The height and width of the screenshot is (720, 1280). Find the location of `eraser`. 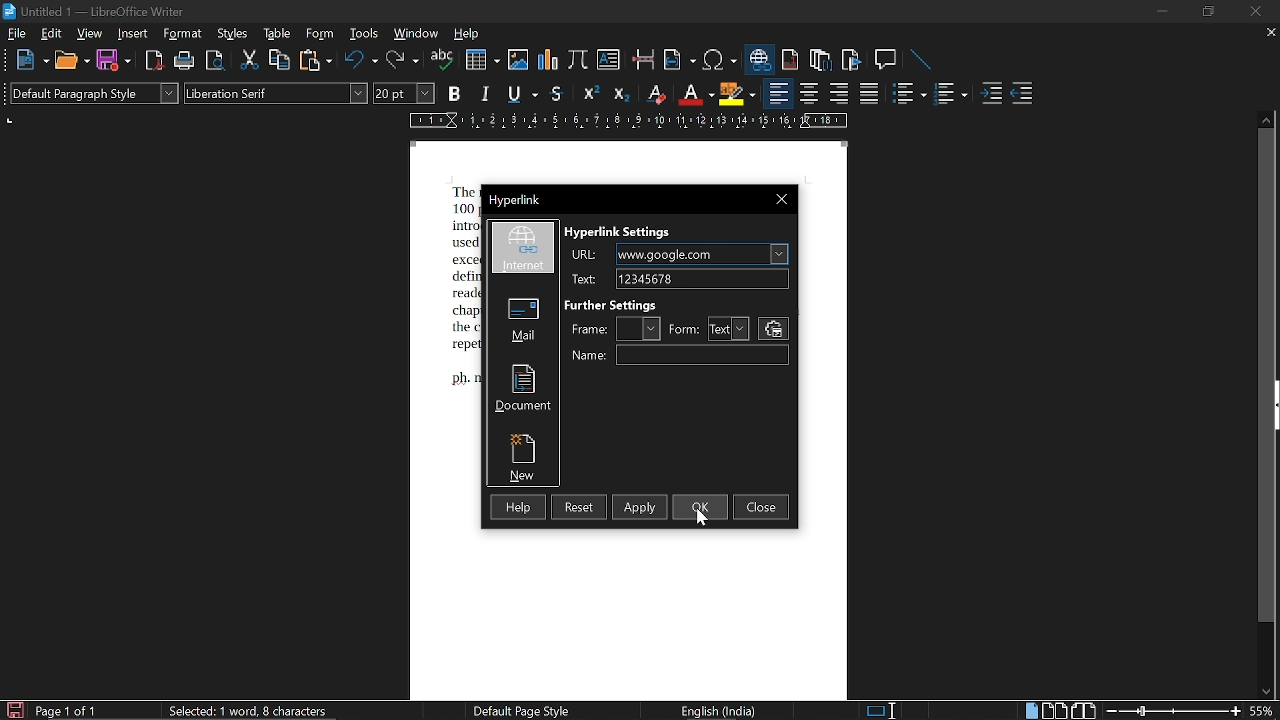

eraser is located at coordinates (654, 94).